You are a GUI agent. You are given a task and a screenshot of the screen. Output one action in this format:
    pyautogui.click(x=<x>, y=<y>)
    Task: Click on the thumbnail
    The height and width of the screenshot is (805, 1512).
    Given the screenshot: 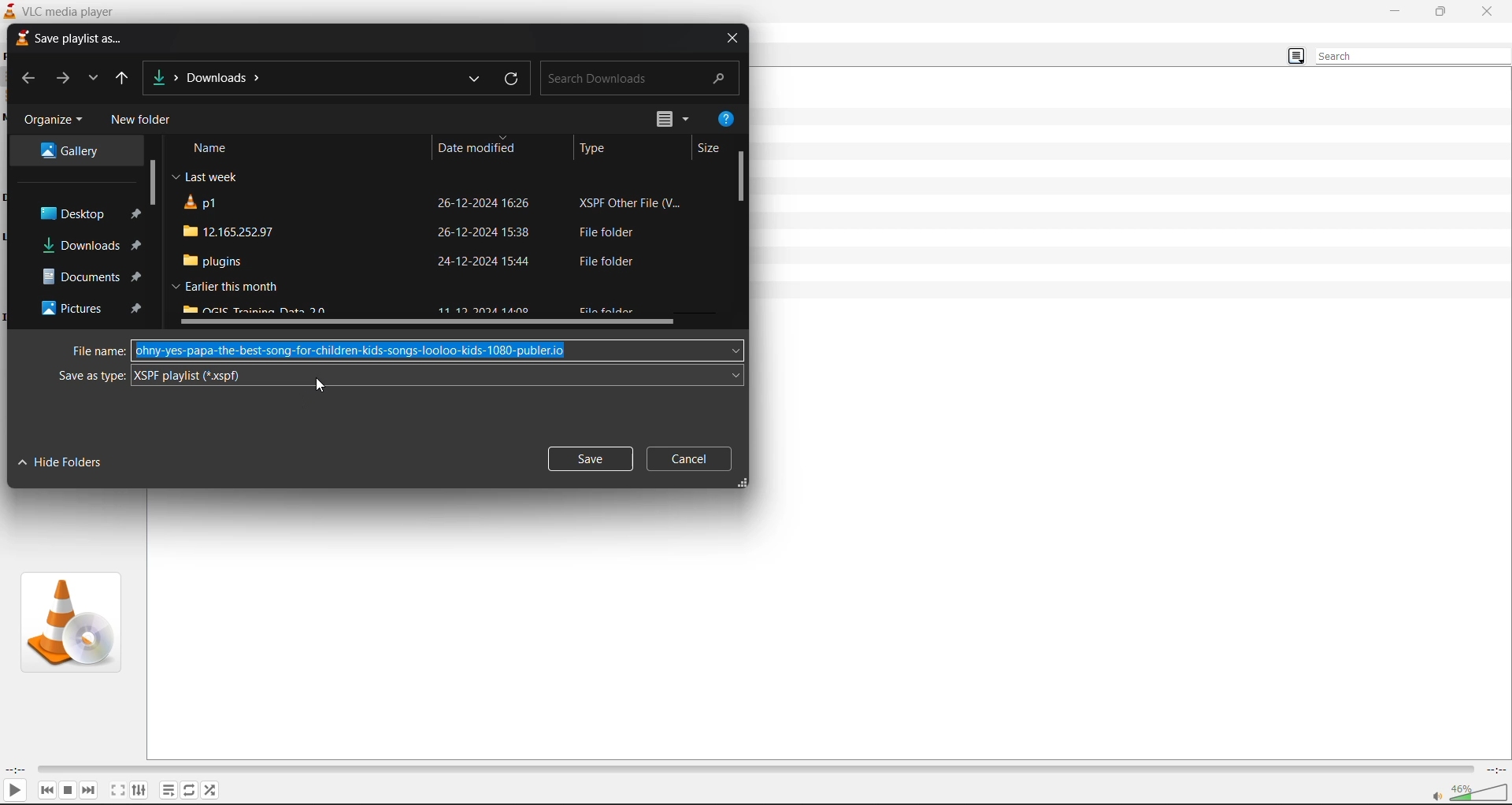 What is the action you would take?
    pyautogui.click(x=69, y=621)
    